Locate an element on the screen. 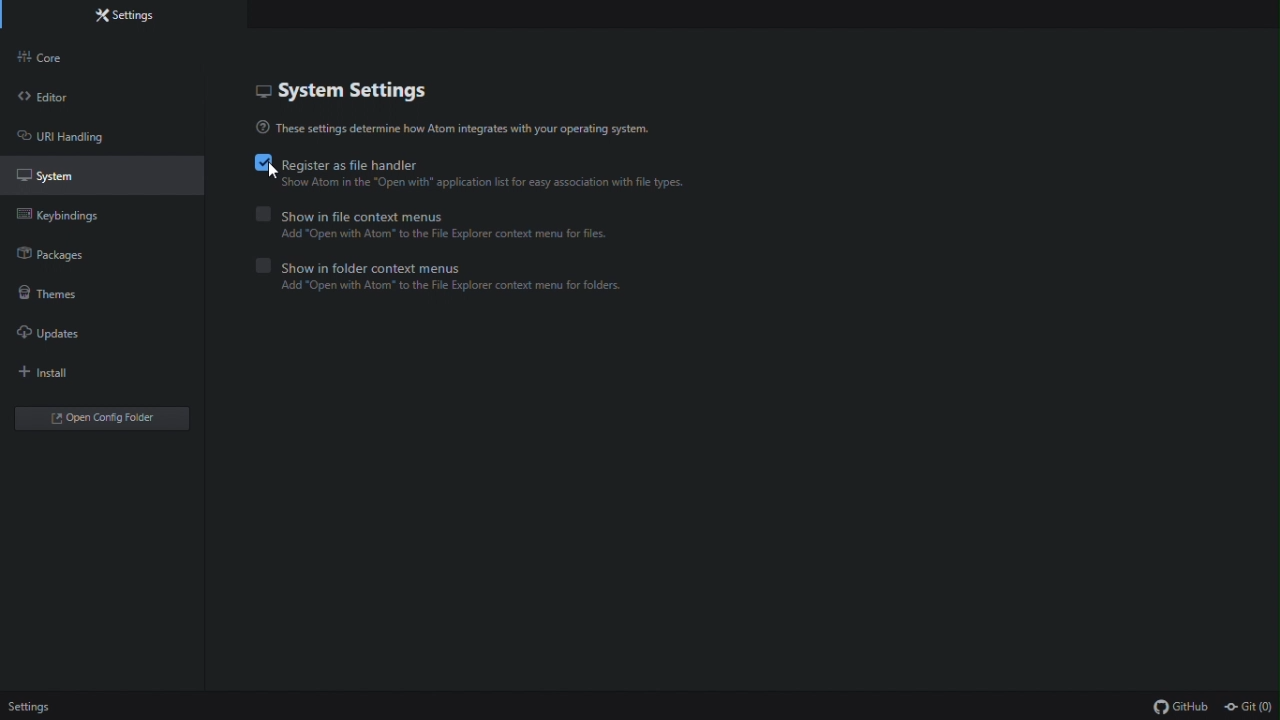 This screenshot has width=1280, height=720. Install  is located at coordinates (59, 376).